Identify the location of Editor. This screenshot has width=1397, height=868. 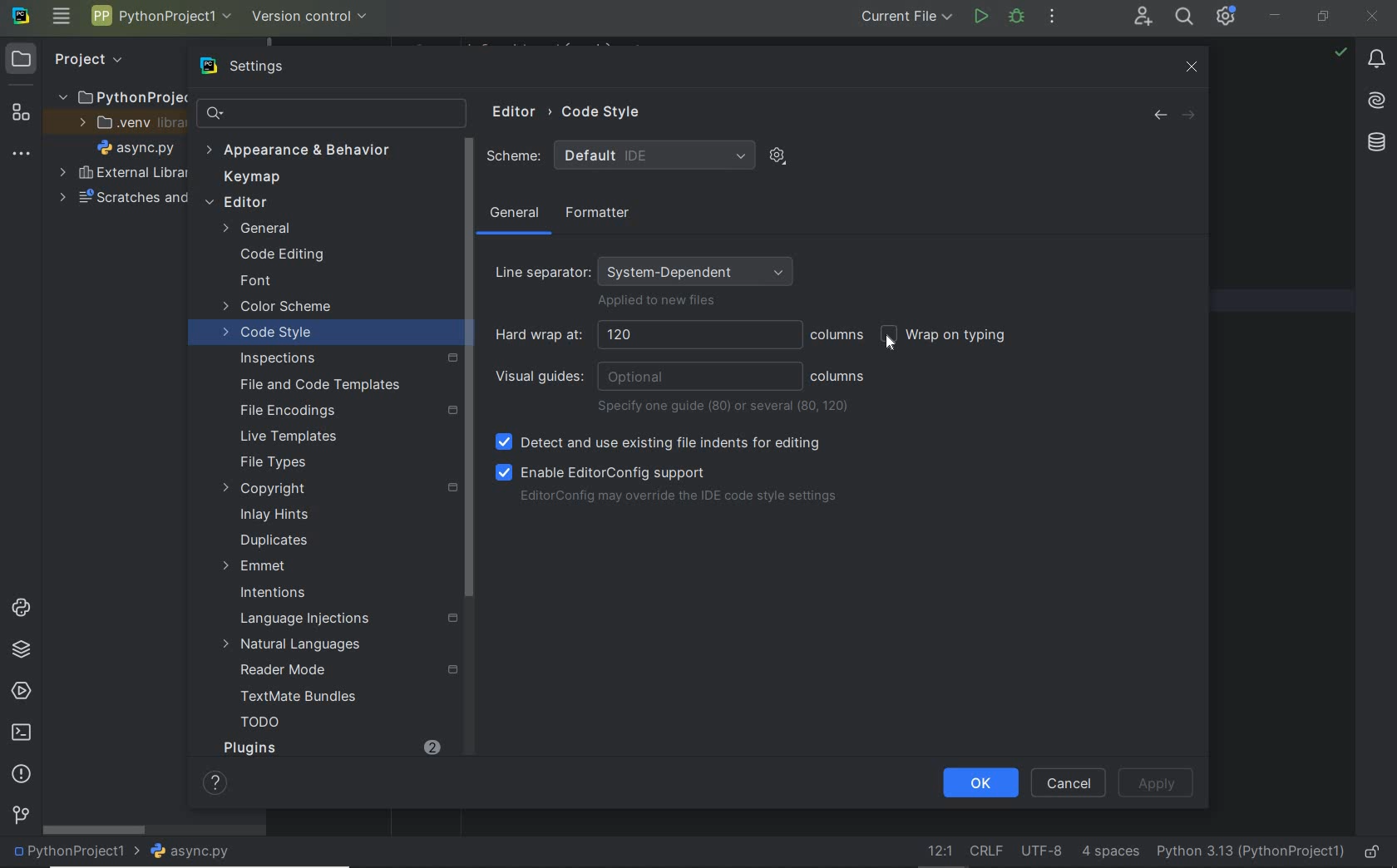
(510, 113).